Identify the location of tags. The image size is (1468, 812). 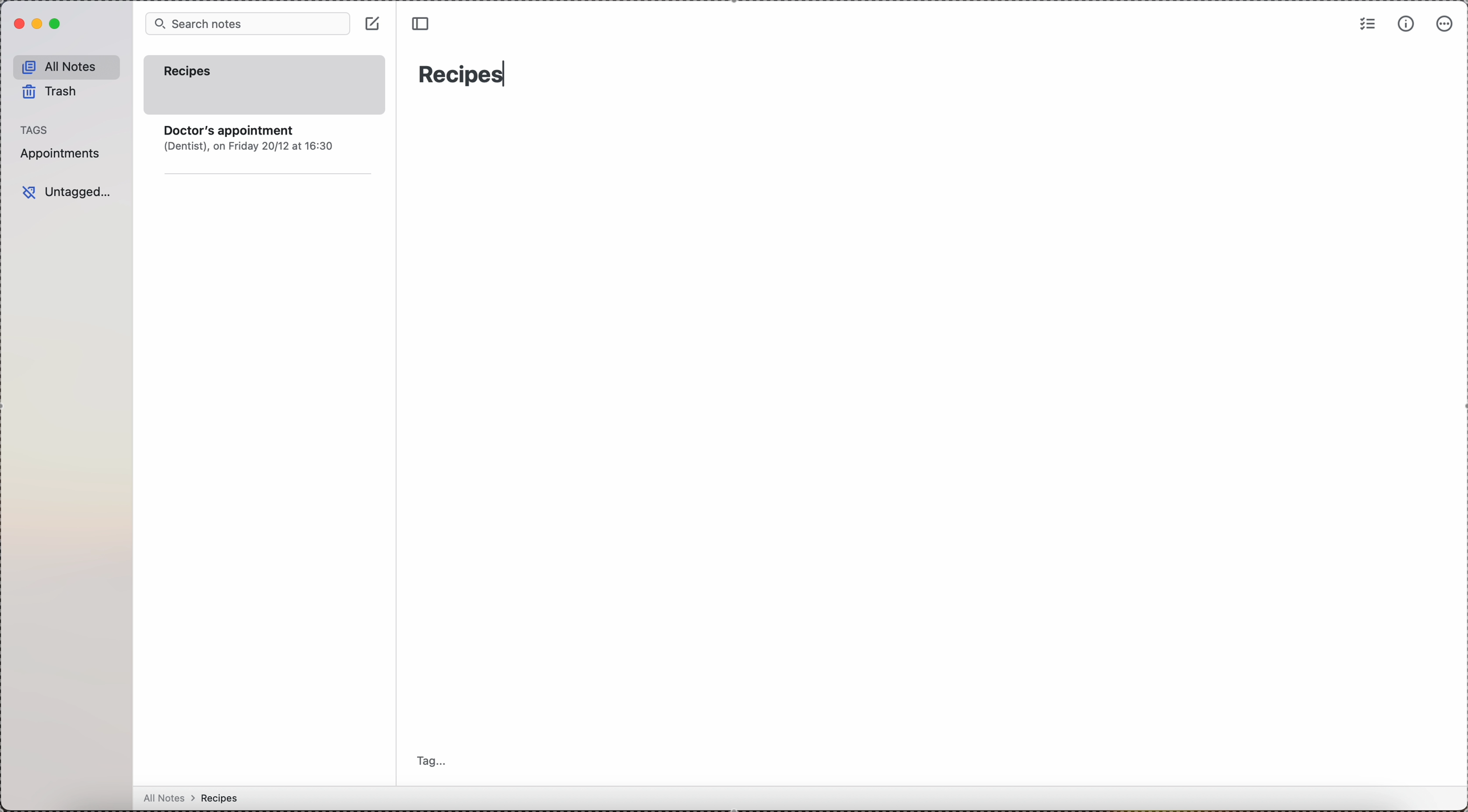
(34, 128).